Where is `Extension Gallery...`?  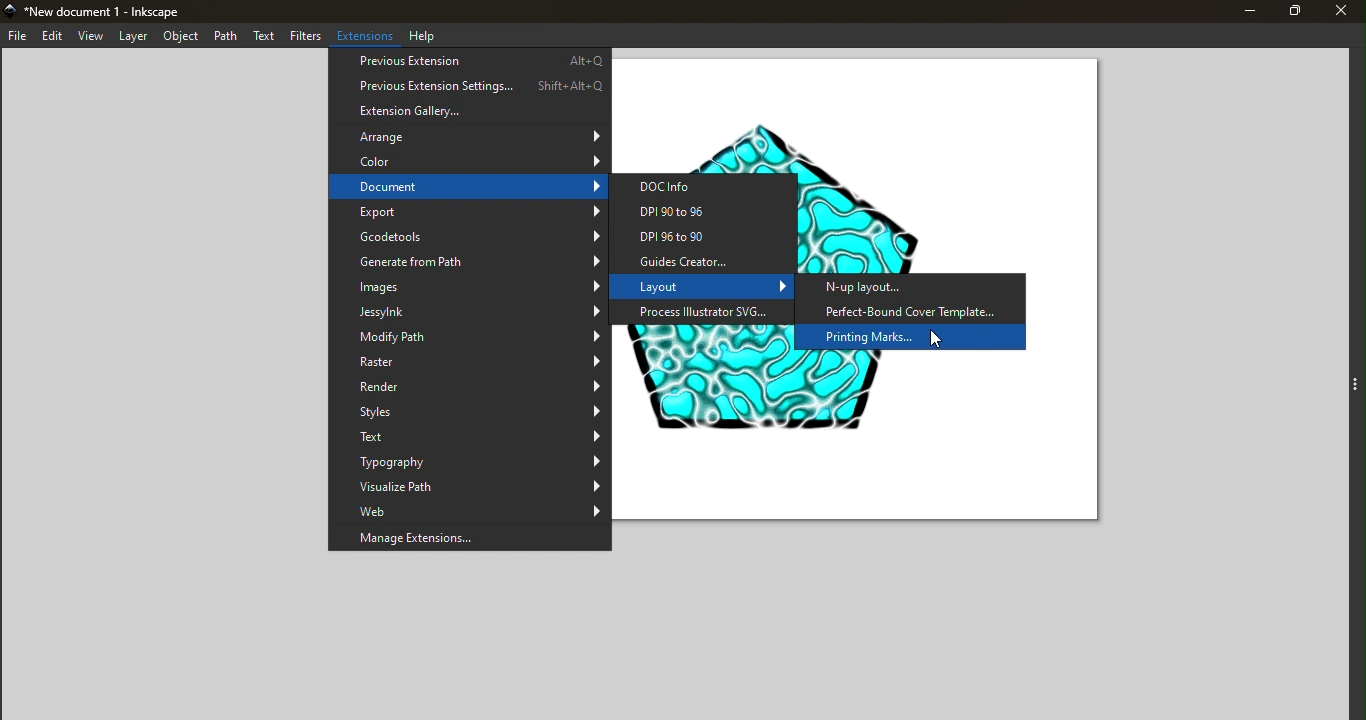
Extension Gallery... is located at coordinates (470, 112).